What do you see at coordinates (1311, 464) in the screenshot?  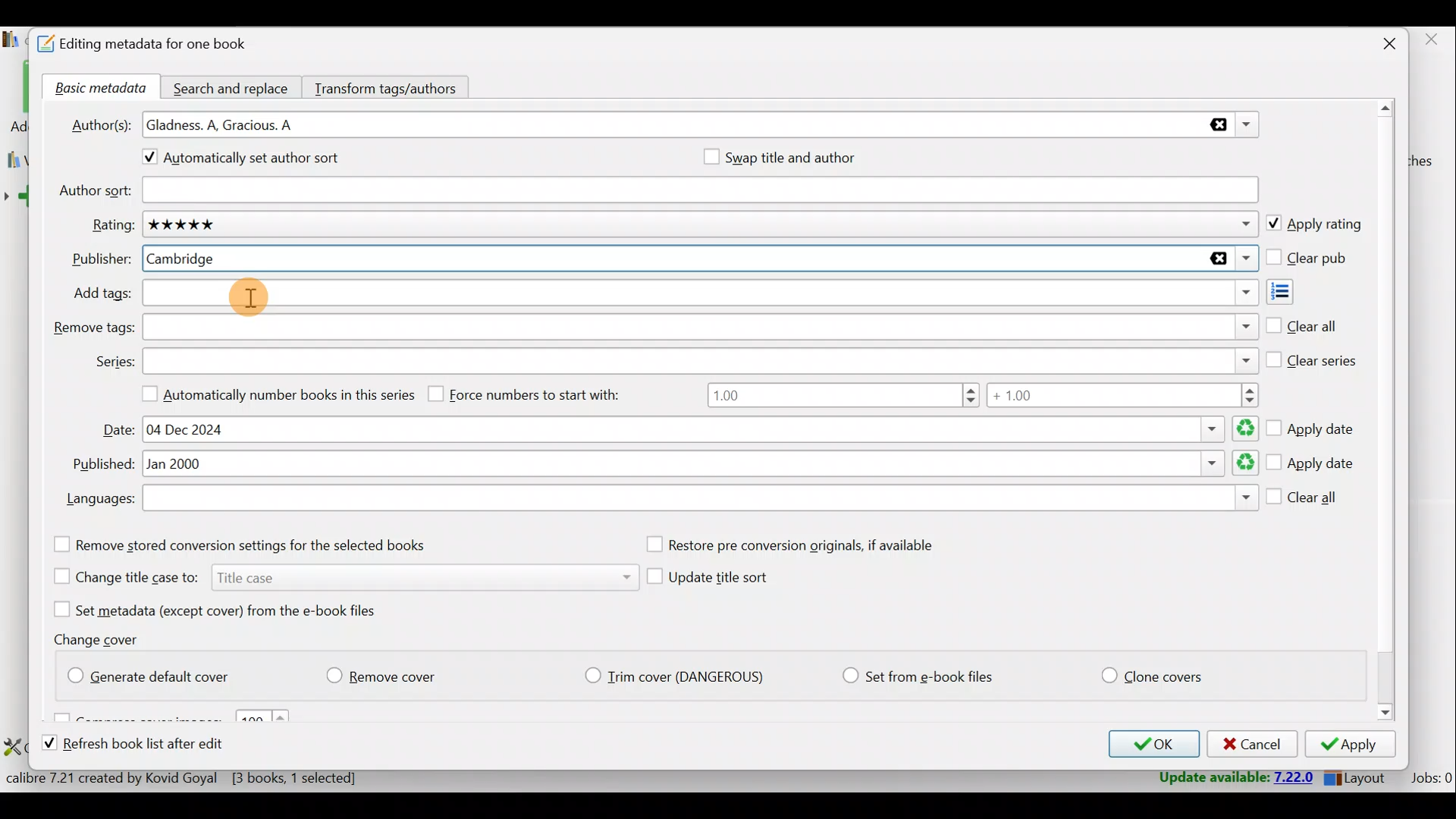 I see `Apply date` at bounding box center [1311, 464].